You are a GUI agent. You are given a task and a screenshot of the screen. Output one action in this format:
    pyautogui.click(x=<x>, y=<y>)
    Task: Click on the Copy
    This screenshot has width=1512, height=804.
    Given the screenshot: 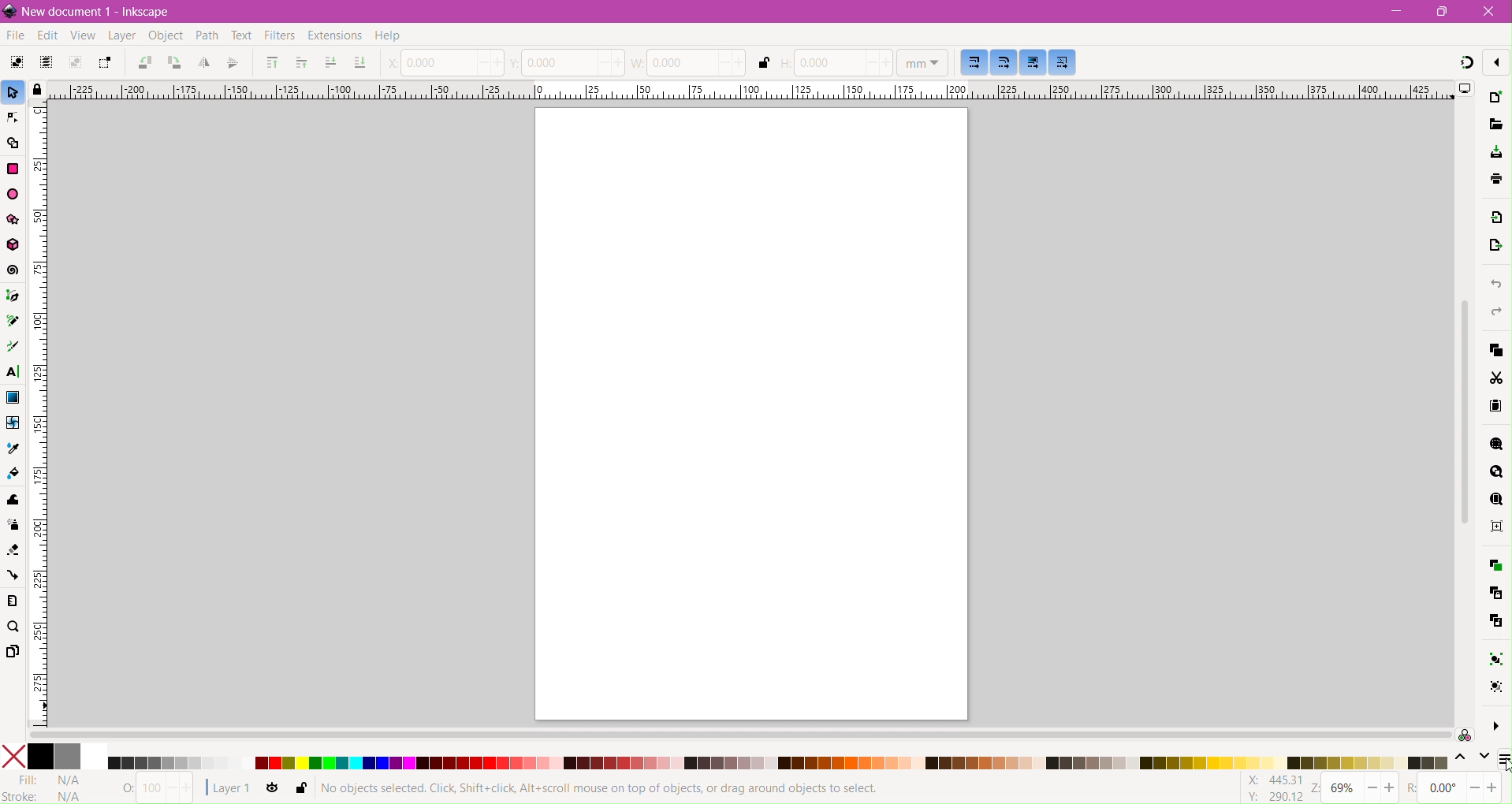 What is the action you would take?
    pyautogui.click(x=1495, y=350)
    